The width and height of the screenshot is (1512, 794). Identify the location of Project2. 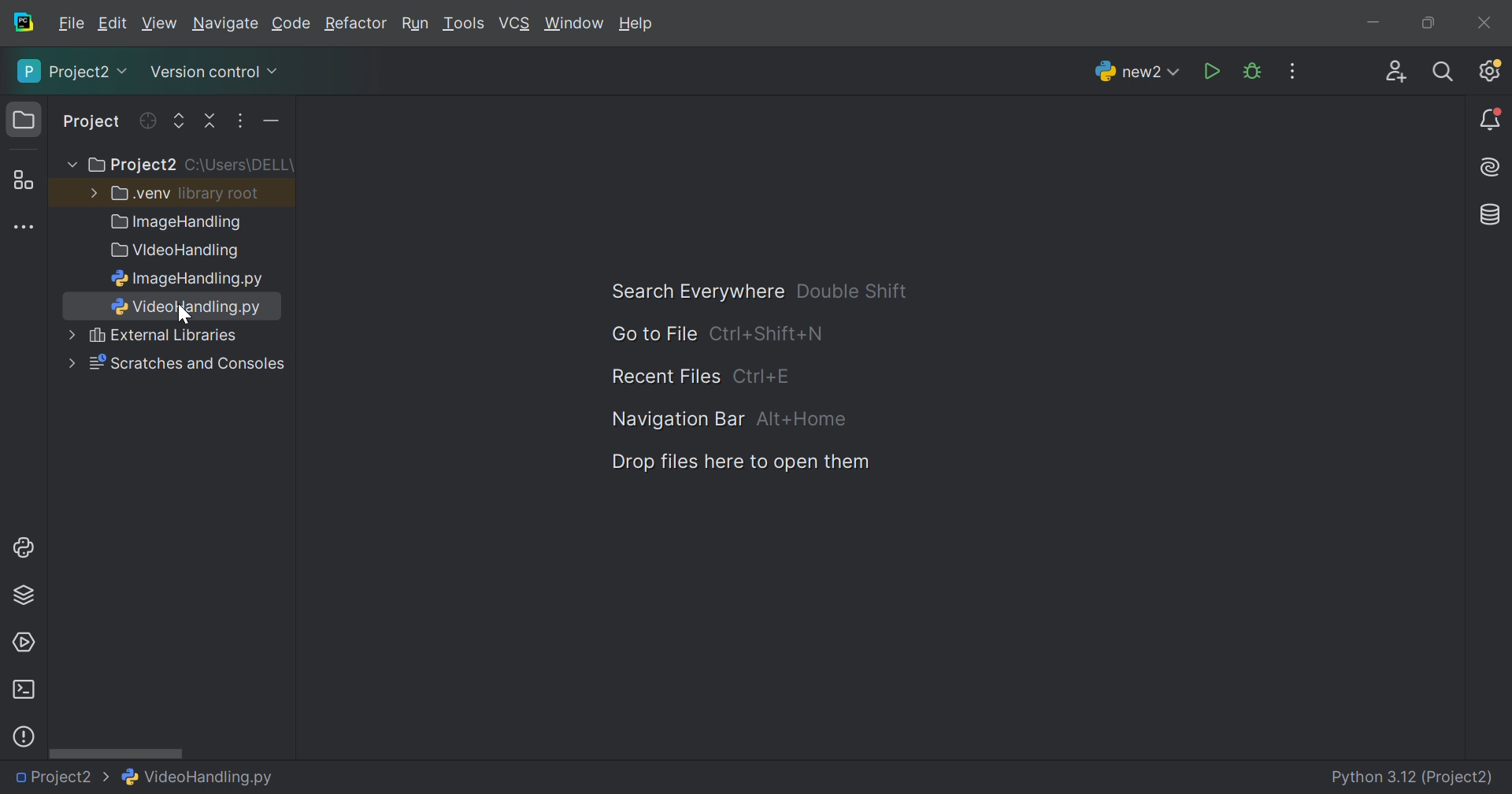
(74, 71).